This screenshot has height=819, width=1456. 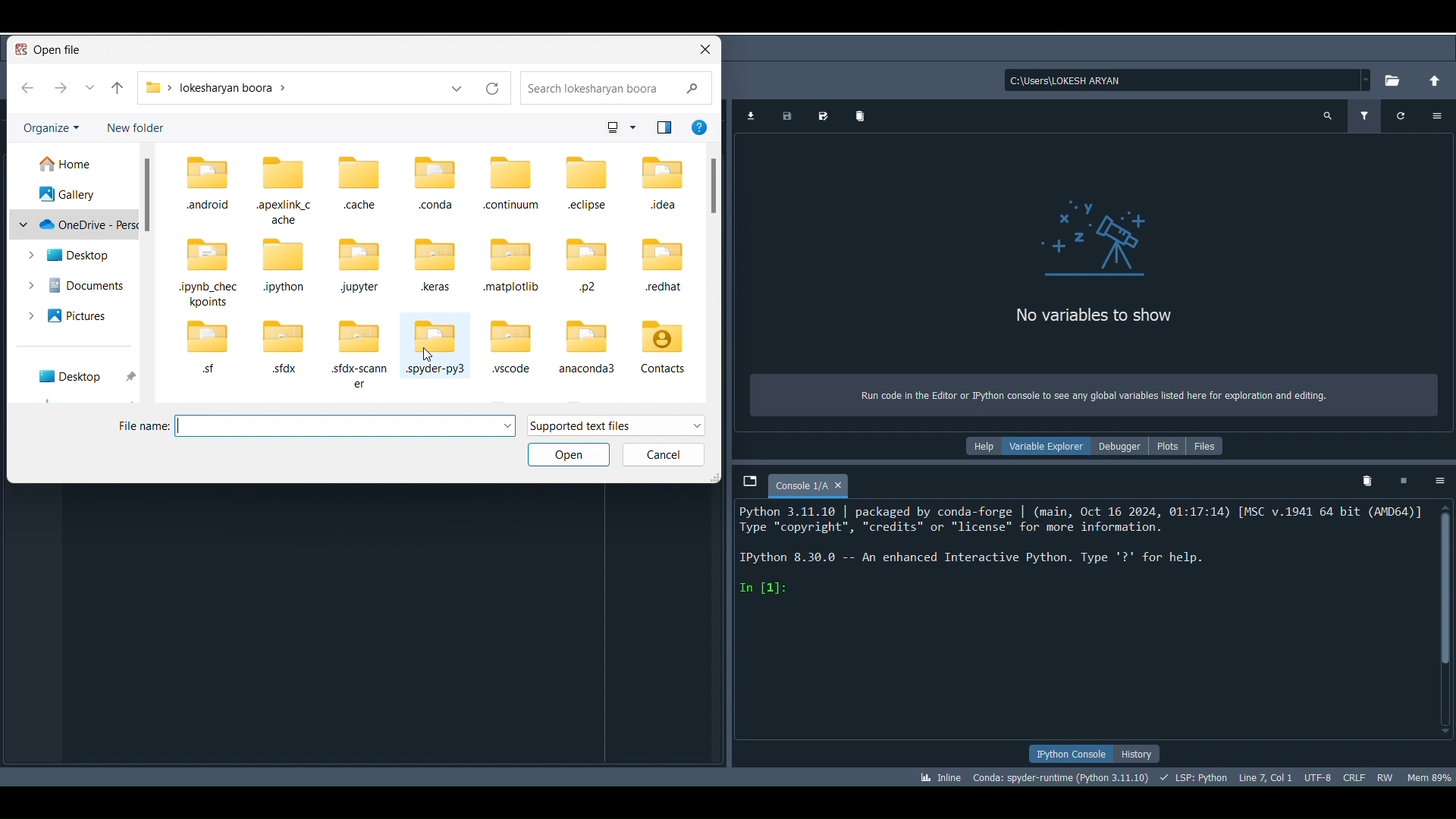 I want to click on Sidebar, so click(x=149, y=255).